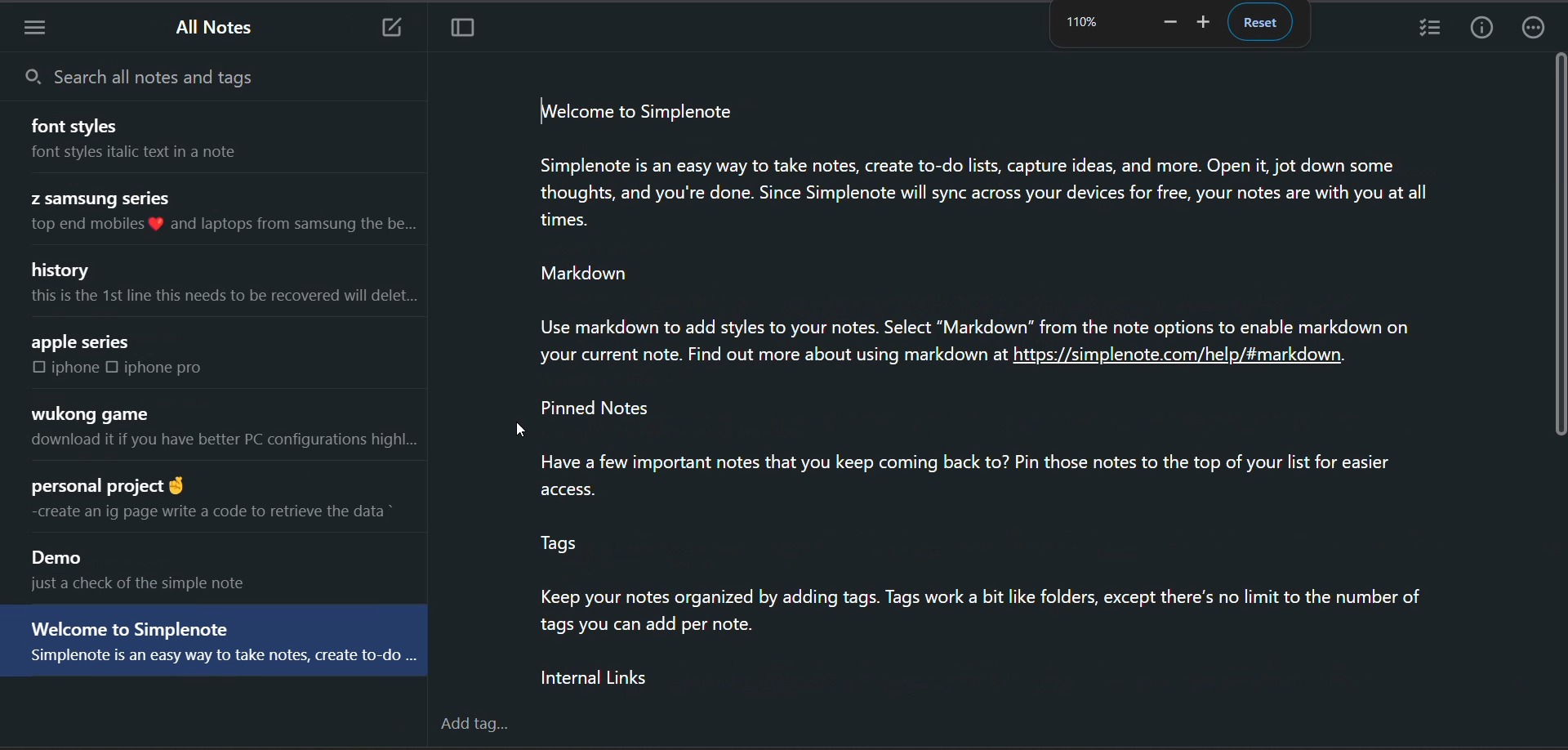 The image size is (1568, 750). Describe the element at coordinates (91, 413) in the screenshot. I see `wukong game` at that location.